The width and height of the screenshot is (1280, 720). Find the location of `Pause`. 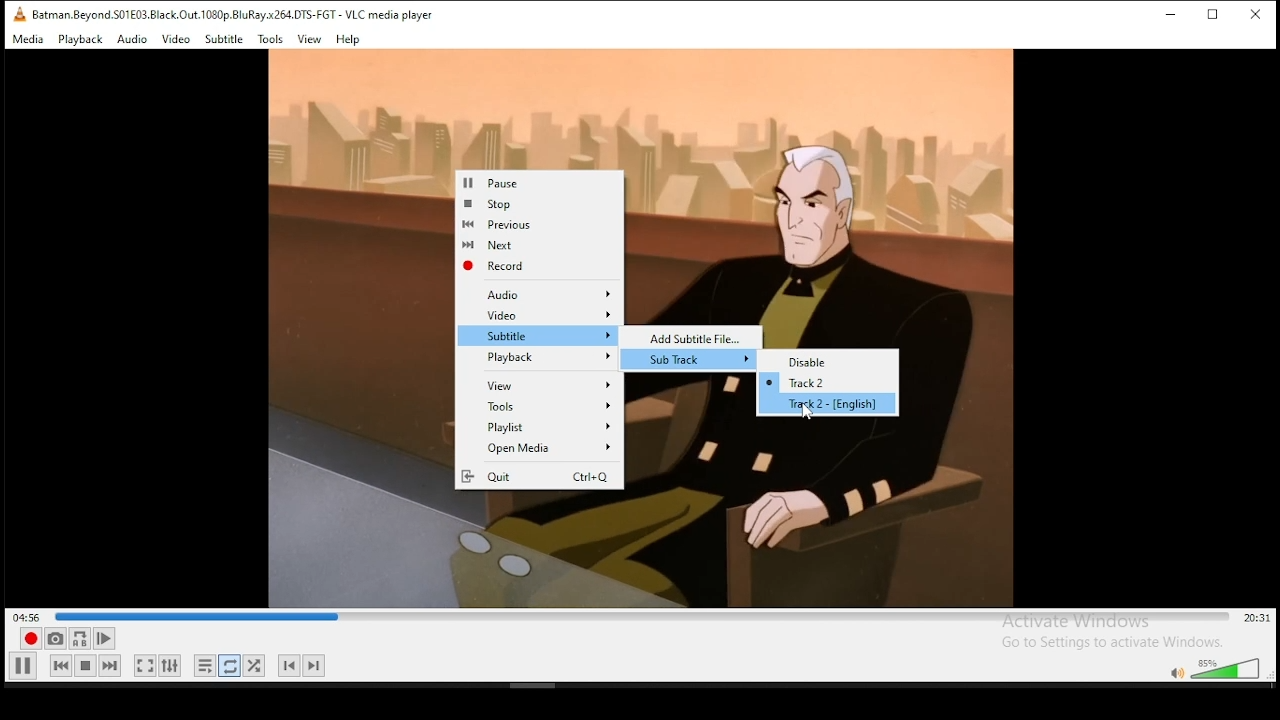

Pause is located at coordinates (542, 184).